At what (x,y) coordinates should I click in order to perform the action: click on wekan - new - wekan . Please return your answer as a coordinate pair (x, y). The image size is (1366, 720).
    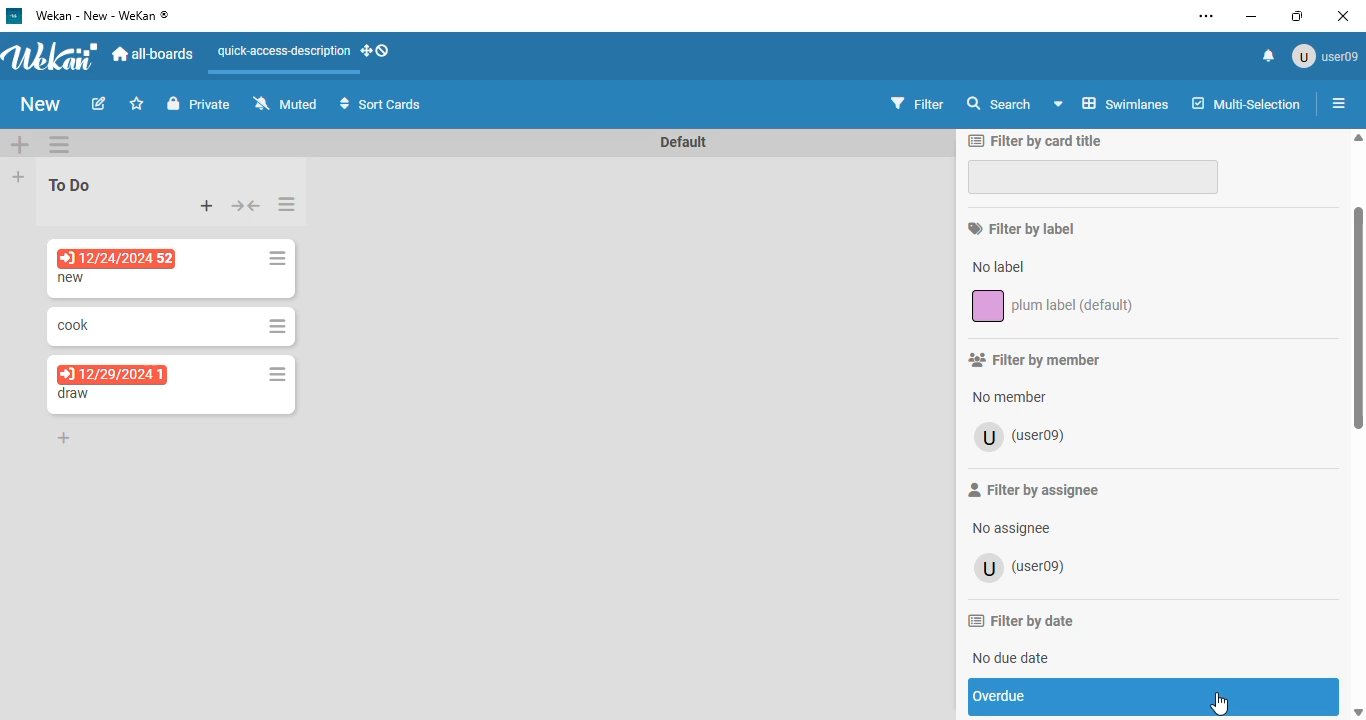
    Looking at the image, I should click on (102, 15).